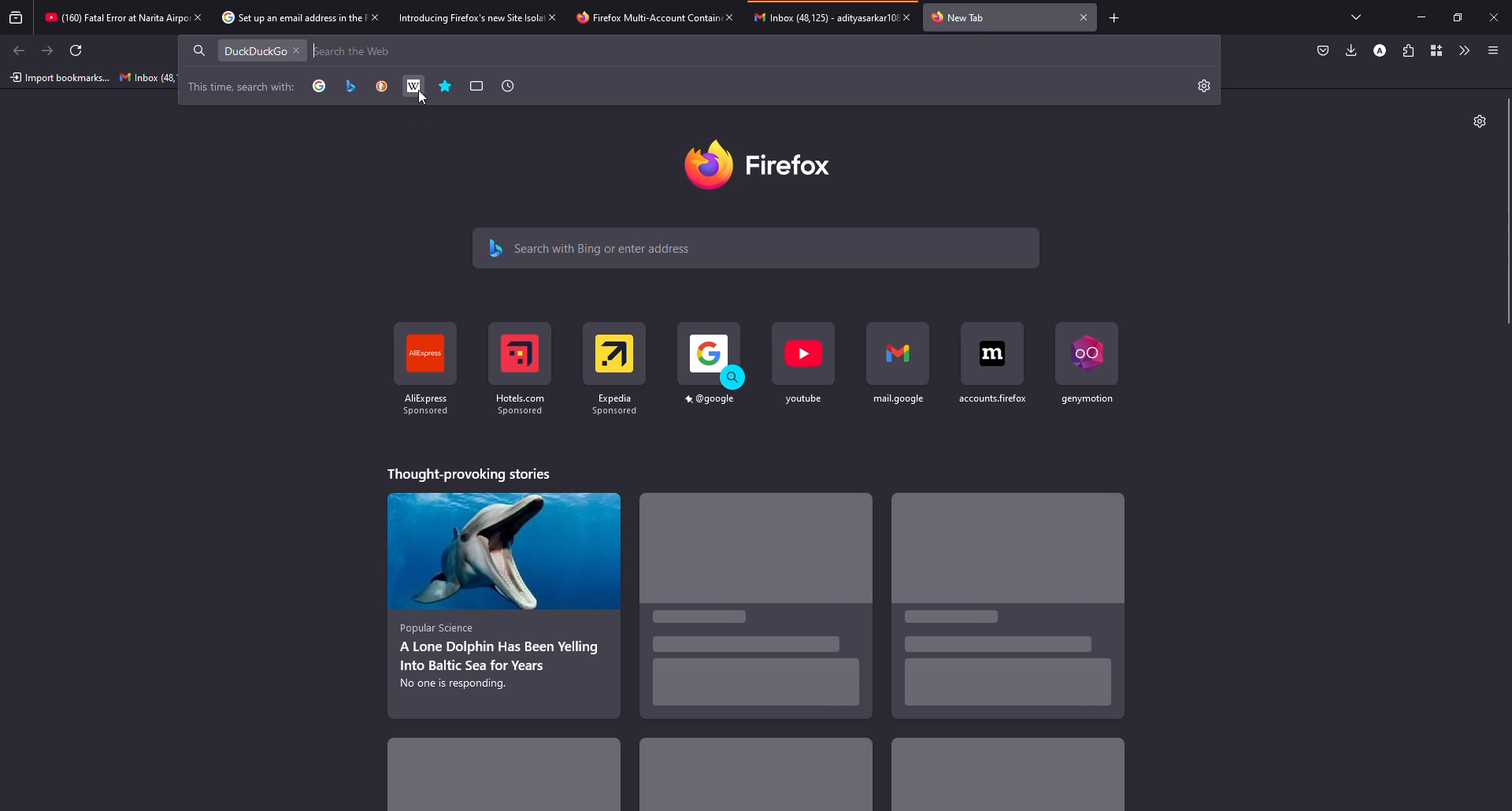 The height and width of the screenshot is (811, 1512). I want to click on settings, so click(1479, 121).